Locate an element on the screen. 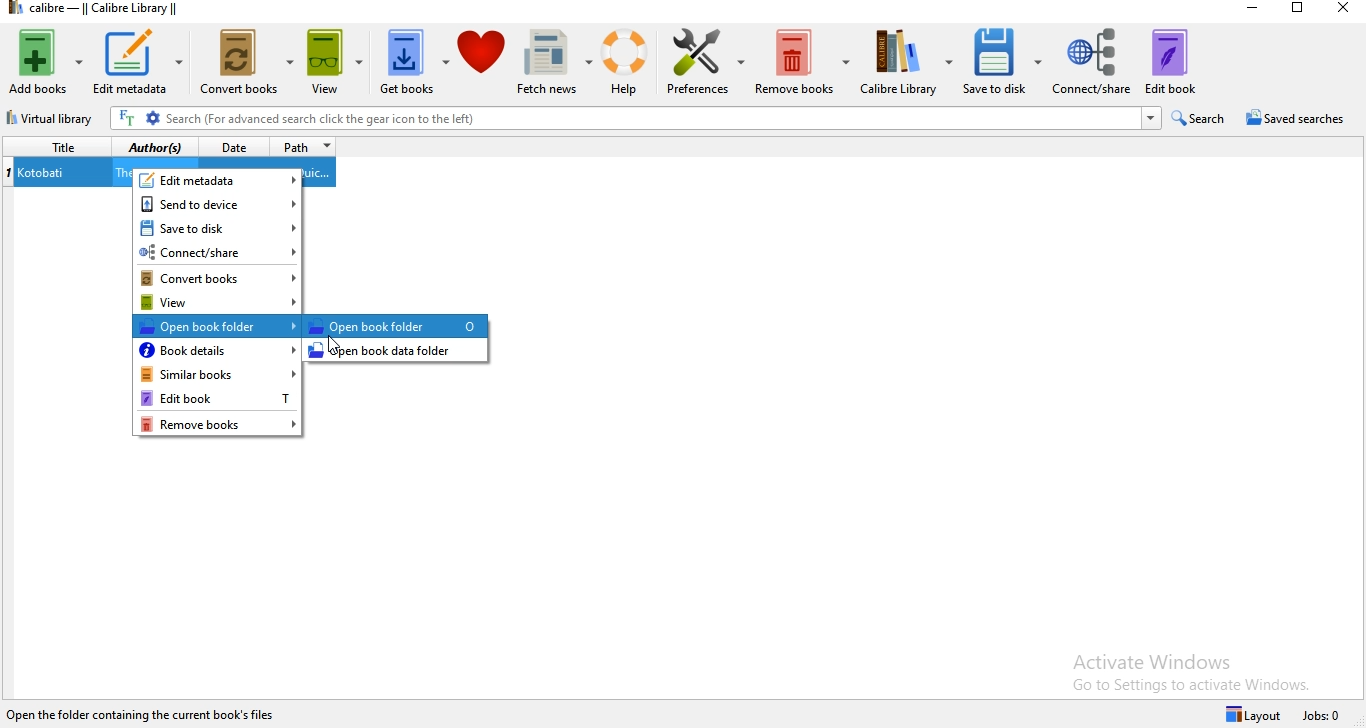 Image resolution: width=1366 pixels, height=728 pixels. remove books is located at coordinates (802, 60).